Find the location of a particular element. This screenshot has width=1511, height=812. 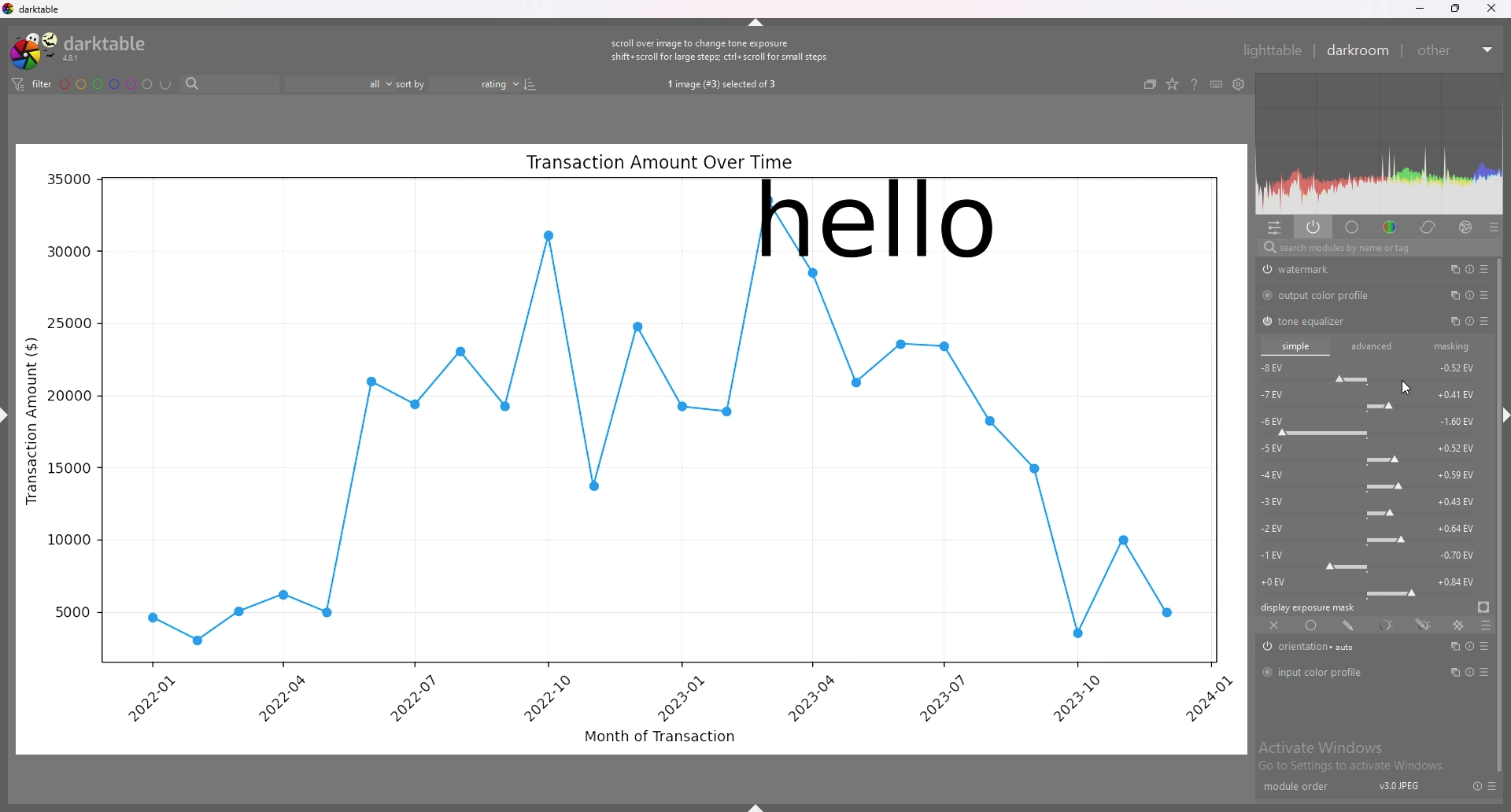

switch off/on is located at coordinates (1266, 648).